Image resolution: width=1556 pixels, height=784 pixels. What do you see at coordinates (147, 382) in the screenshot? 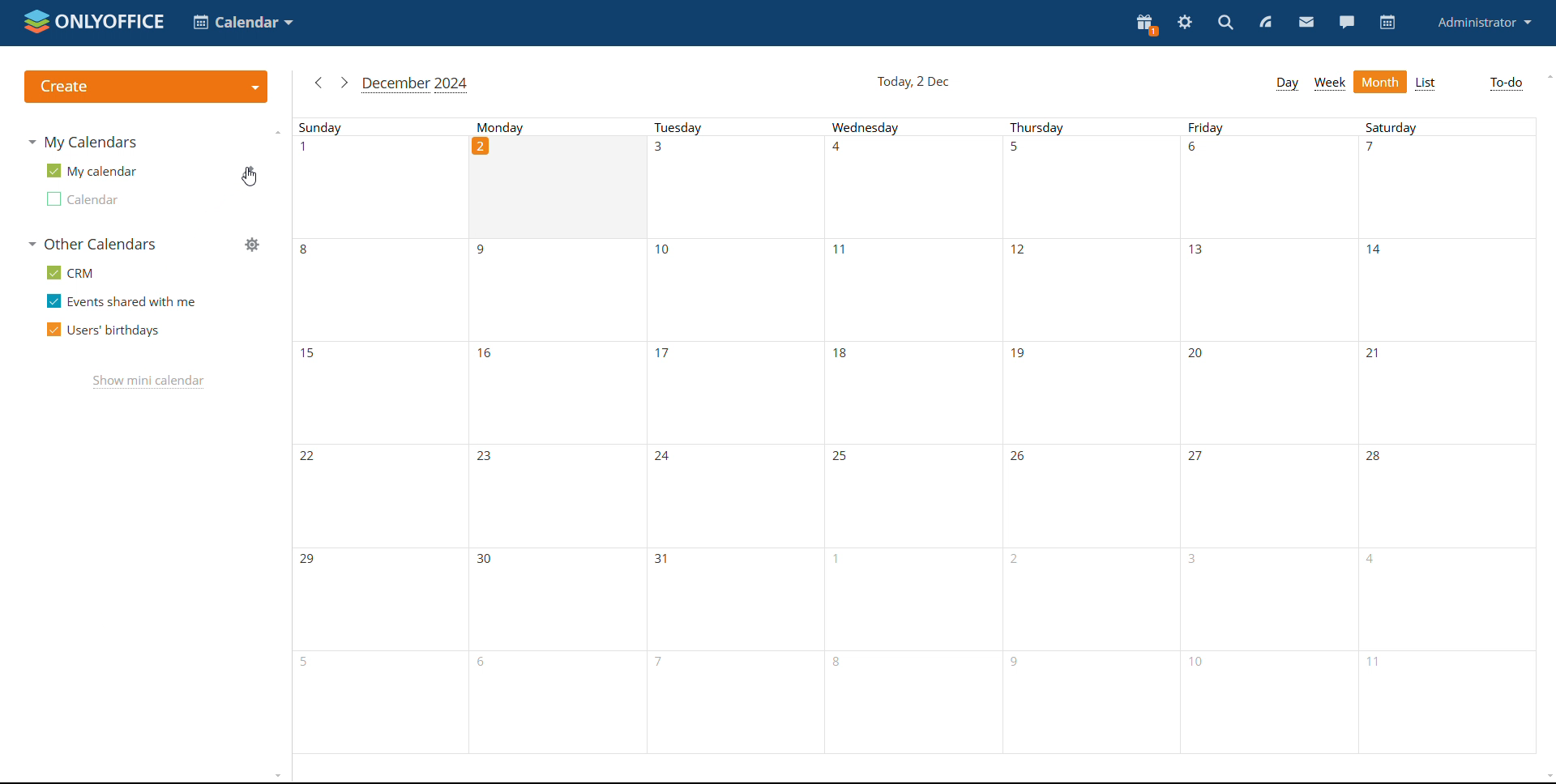
I see `show mini calendar` at bounding box center [147, 382].